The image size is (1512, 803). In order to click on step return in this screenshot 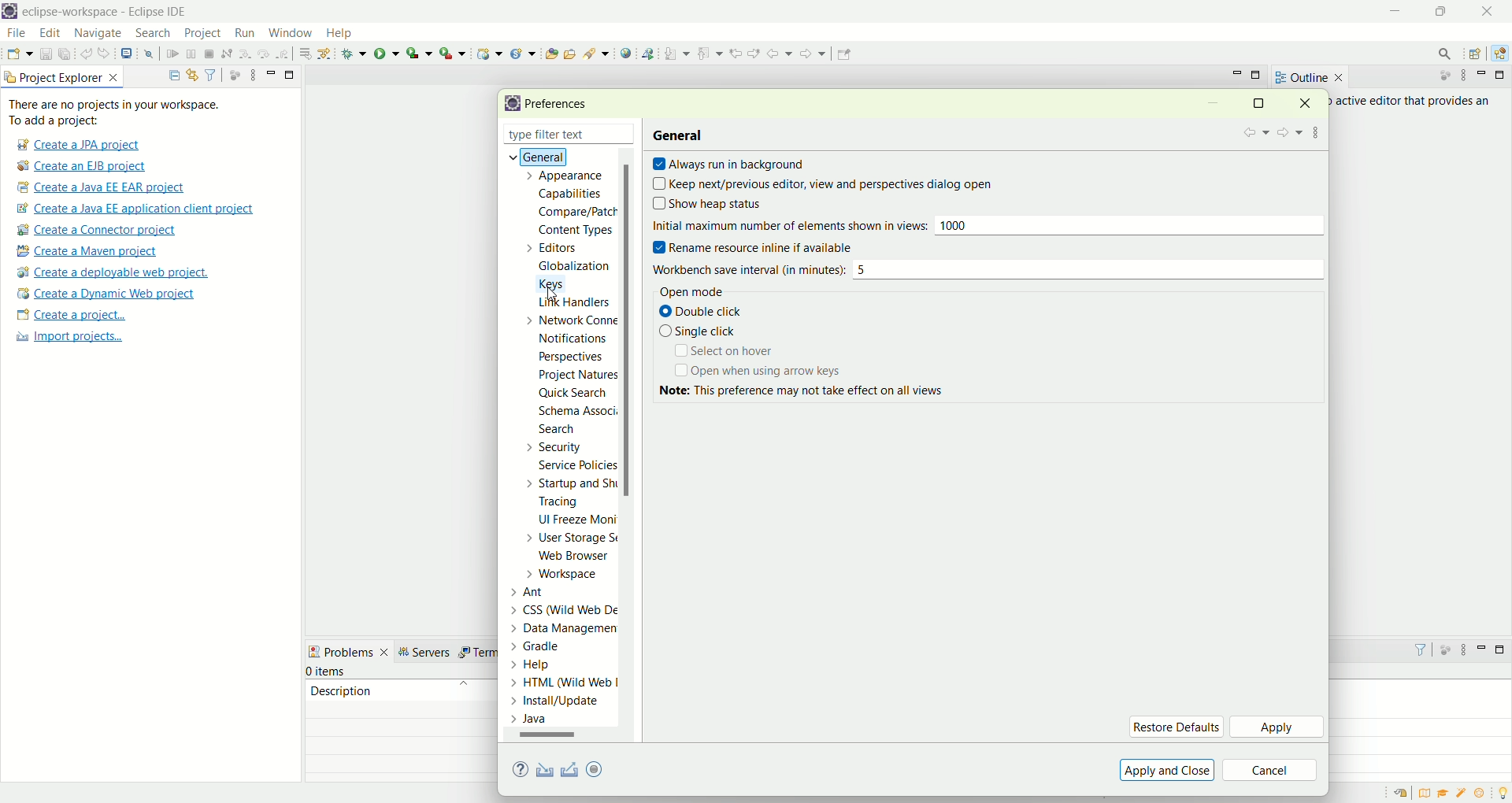, I will do `click(285, 52)`.